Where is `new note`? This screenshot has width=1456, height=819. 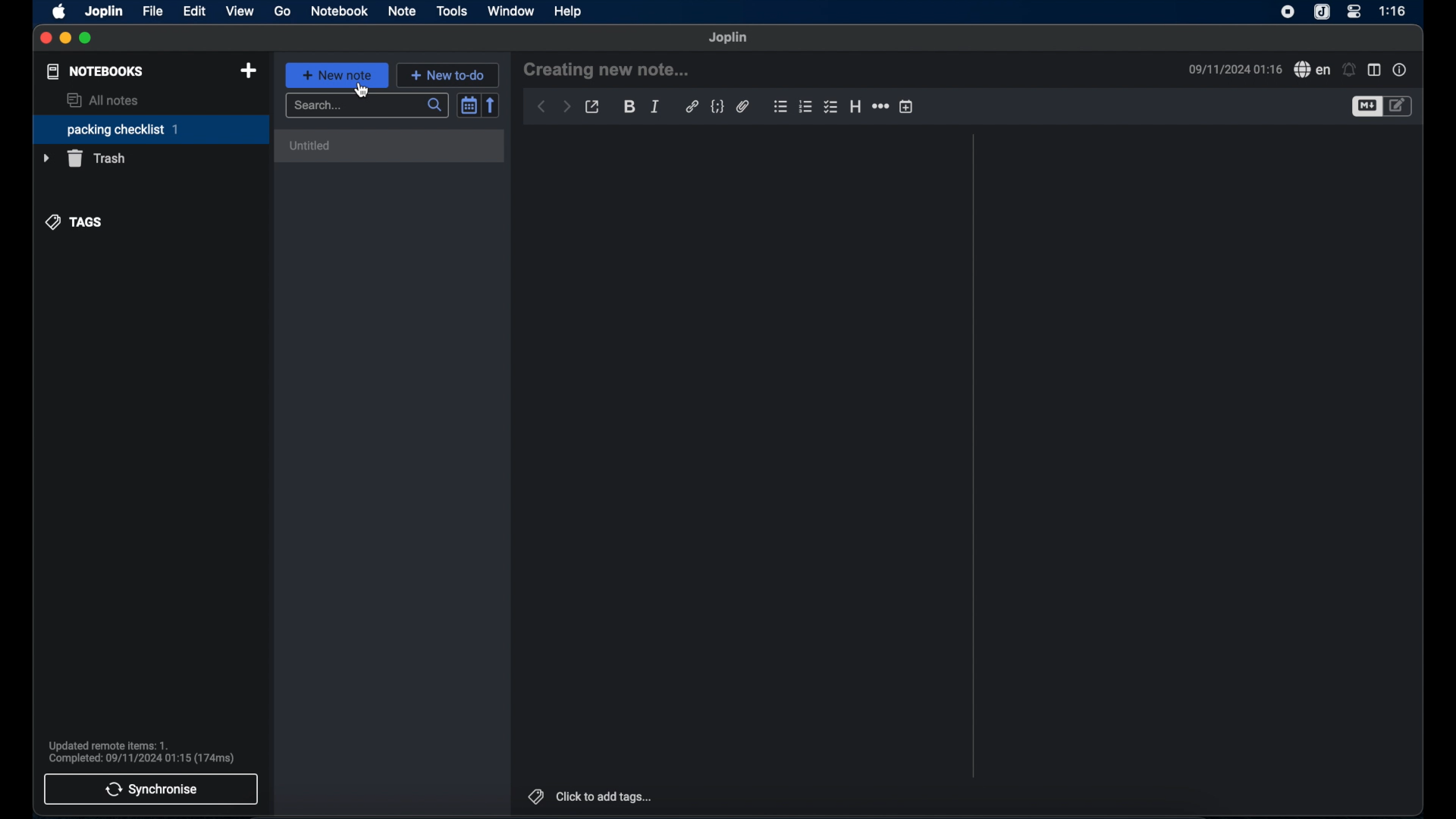
new note is located at coordinates (337, 75).